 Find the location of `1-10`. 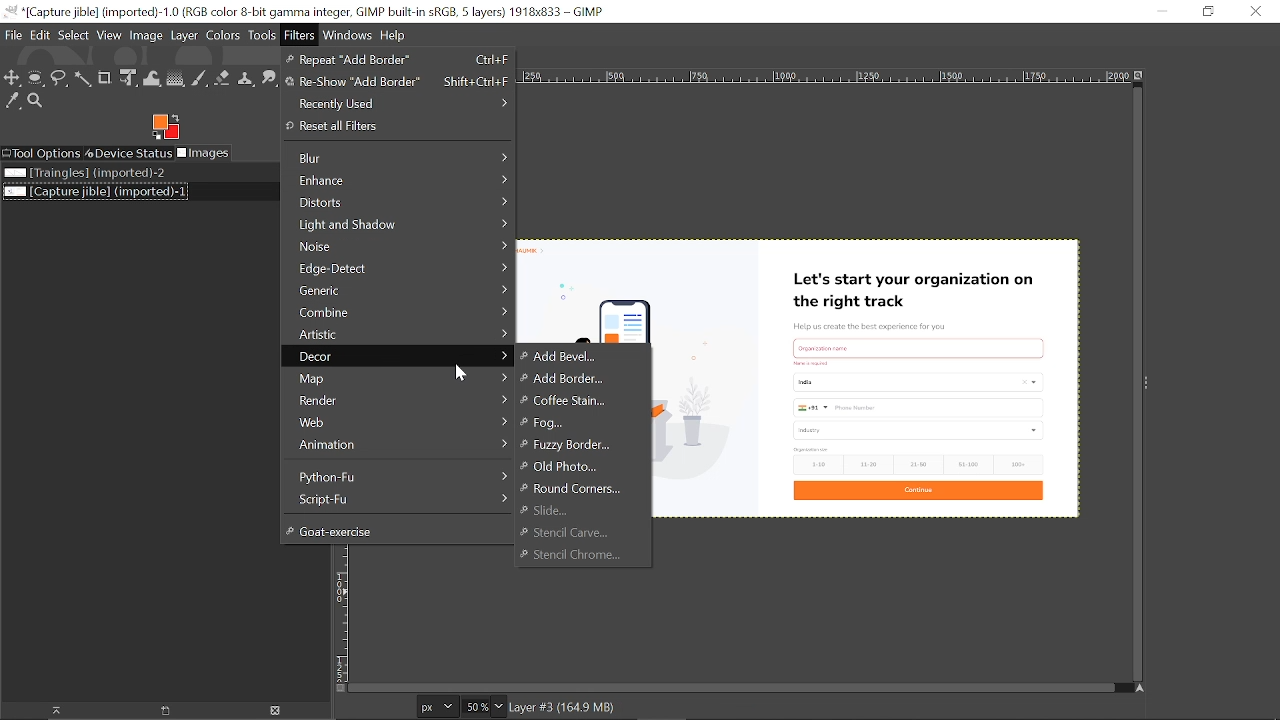

1-10 is located at coordinates (815, 464).